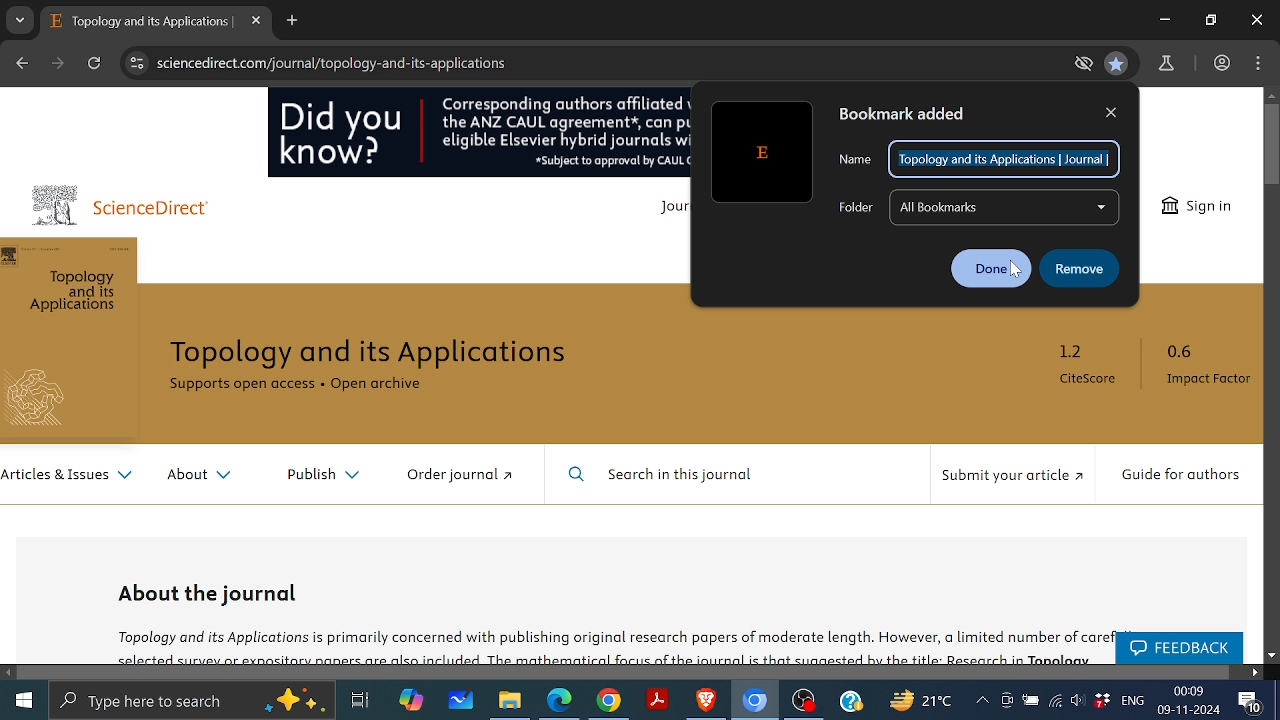 The width and height of the screenshot is (1280, 720). Describe the element at coordinates (43, 401) in the screenshot. I see `logo` at that location.